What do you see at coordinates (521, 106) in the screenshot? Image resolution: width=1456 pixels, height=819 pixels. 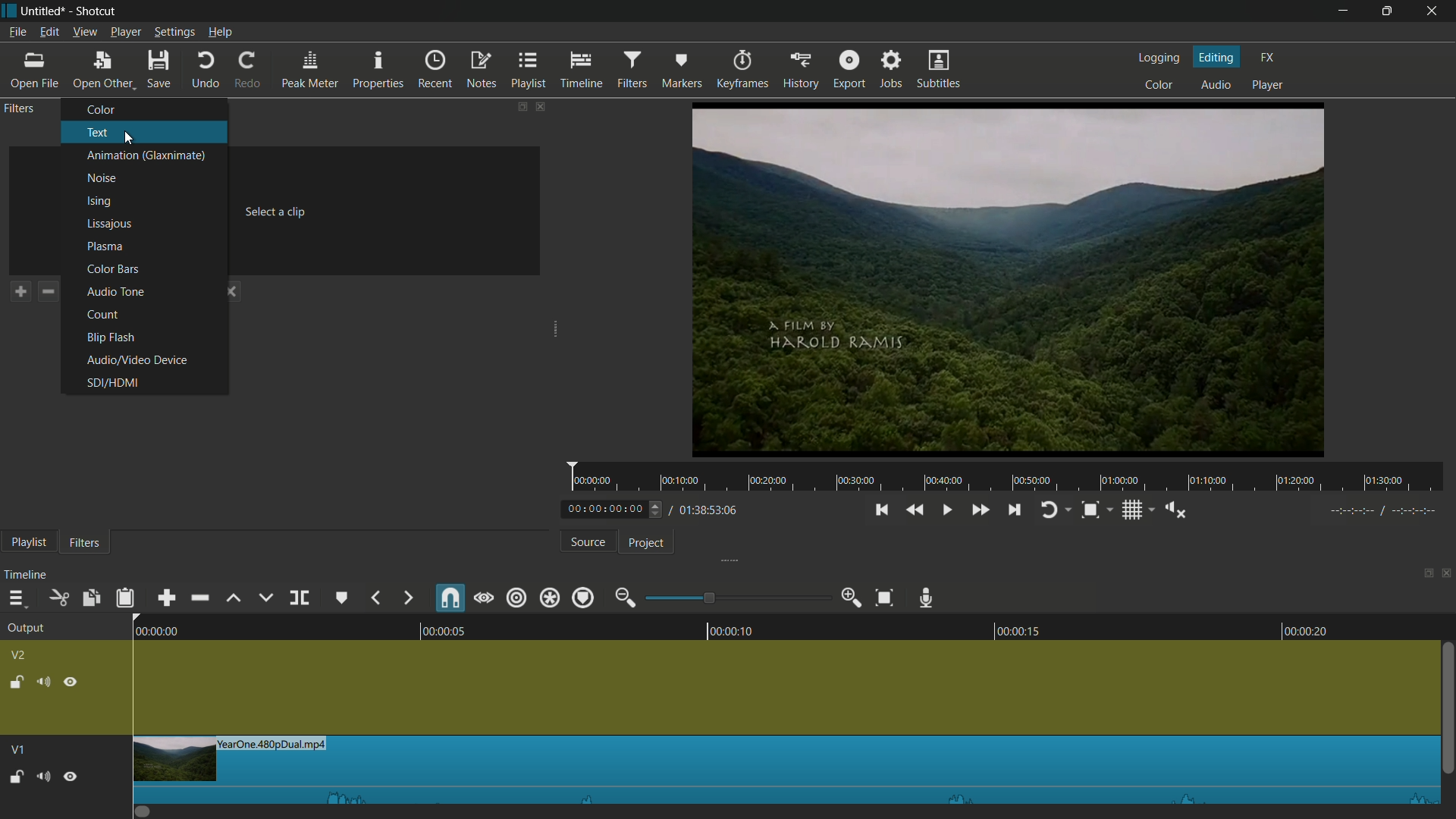 I see `change layout` at bounding box center [521, 106].